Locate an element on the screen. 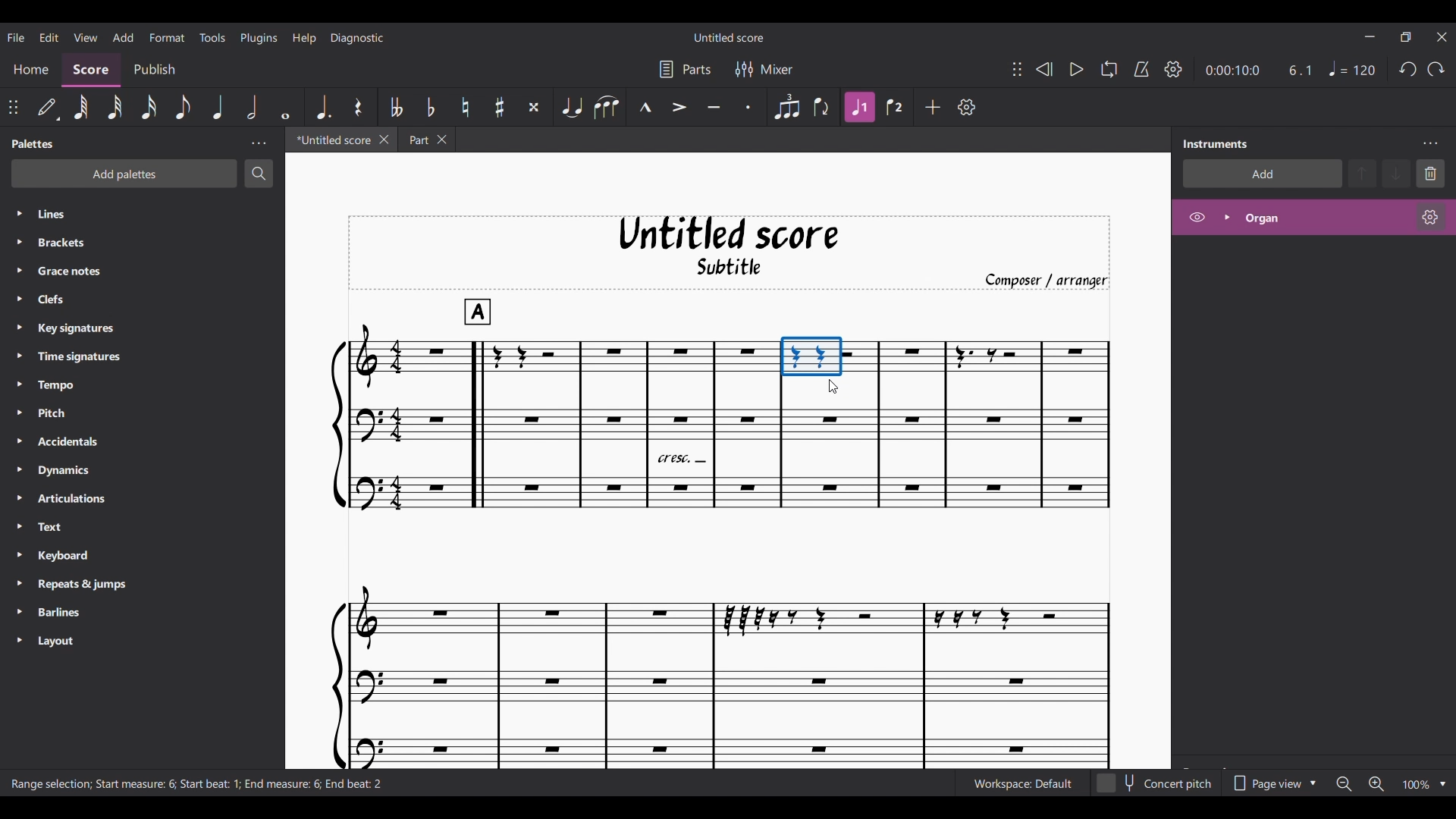 The image size is (1456, 819). Add is located at coordinates (933, 107).